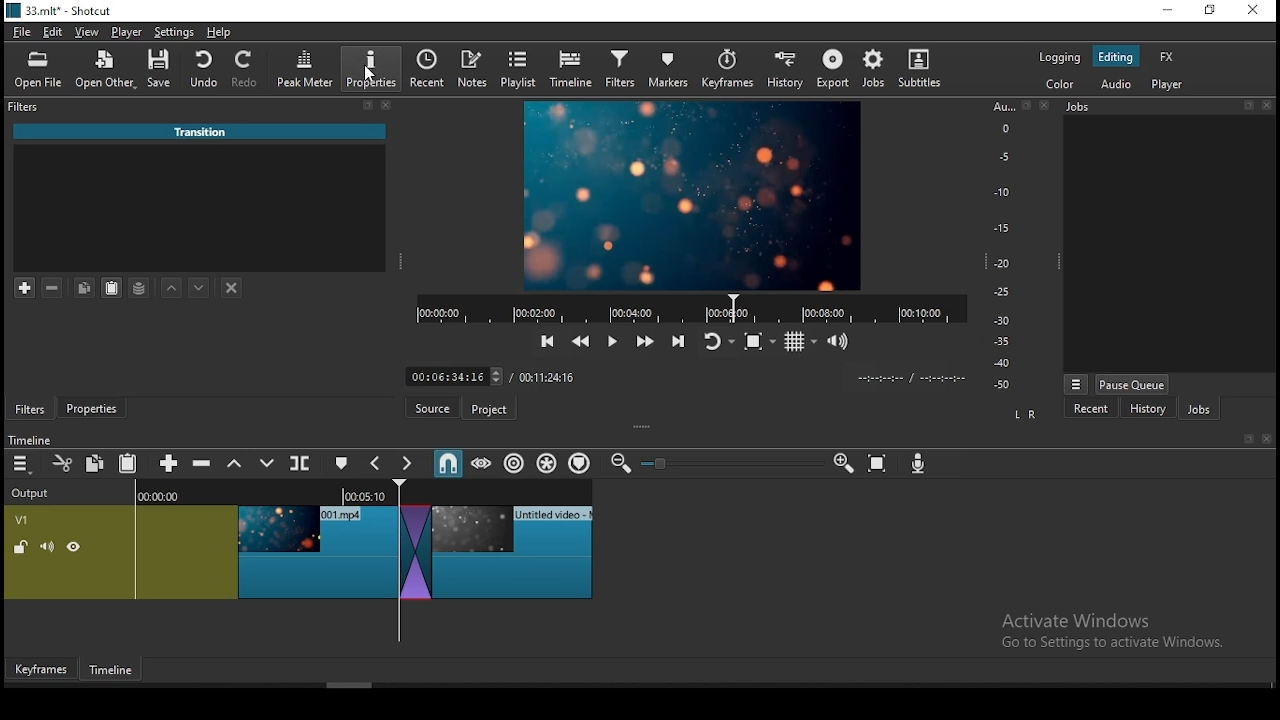  What do you see at coordinates (727, 70) in the screenshot?
I see `keyframes` at bounding box center [727, 70].